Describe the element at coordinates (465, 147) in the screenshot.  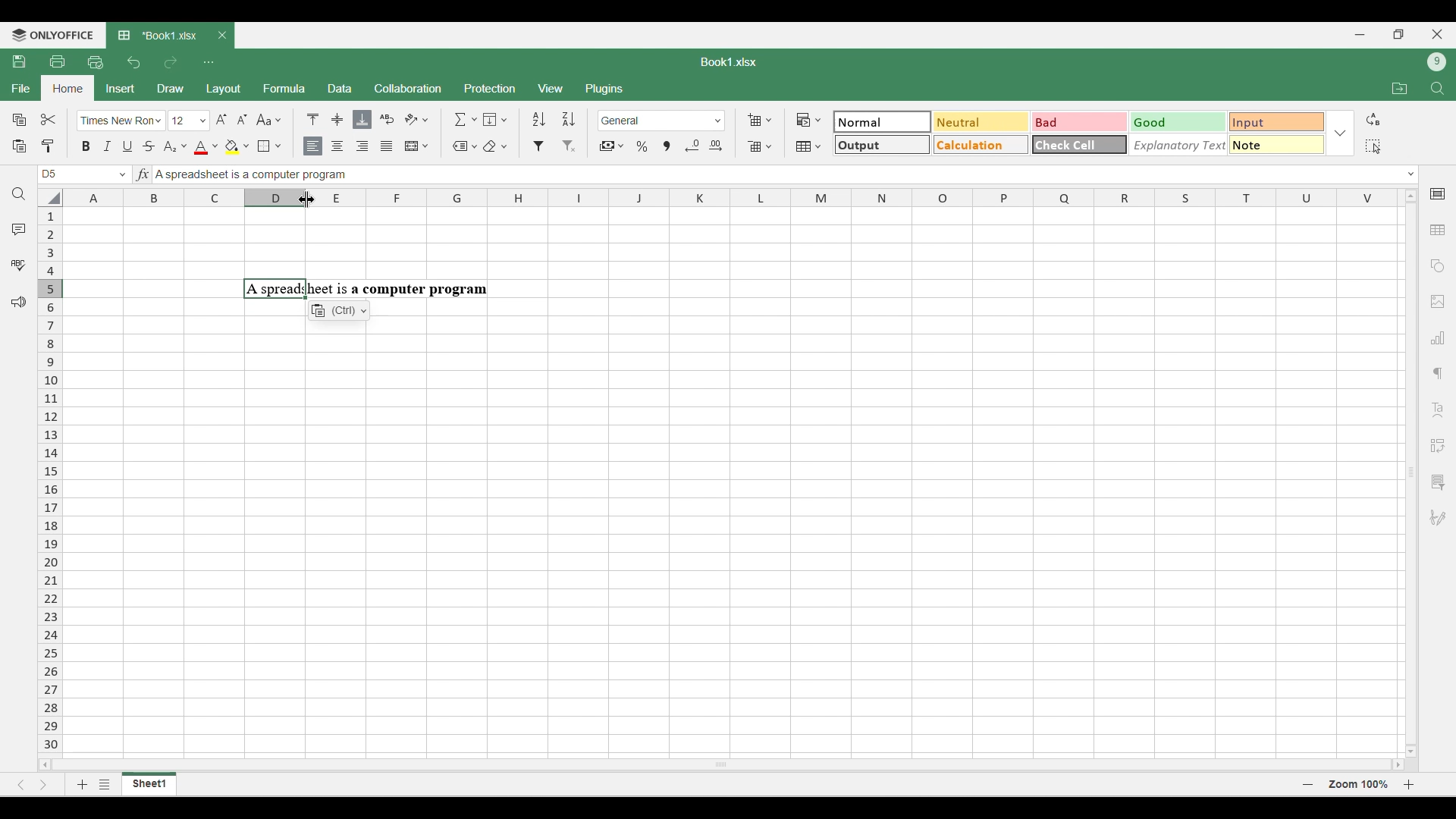
I see `Named ranges options` at that location.